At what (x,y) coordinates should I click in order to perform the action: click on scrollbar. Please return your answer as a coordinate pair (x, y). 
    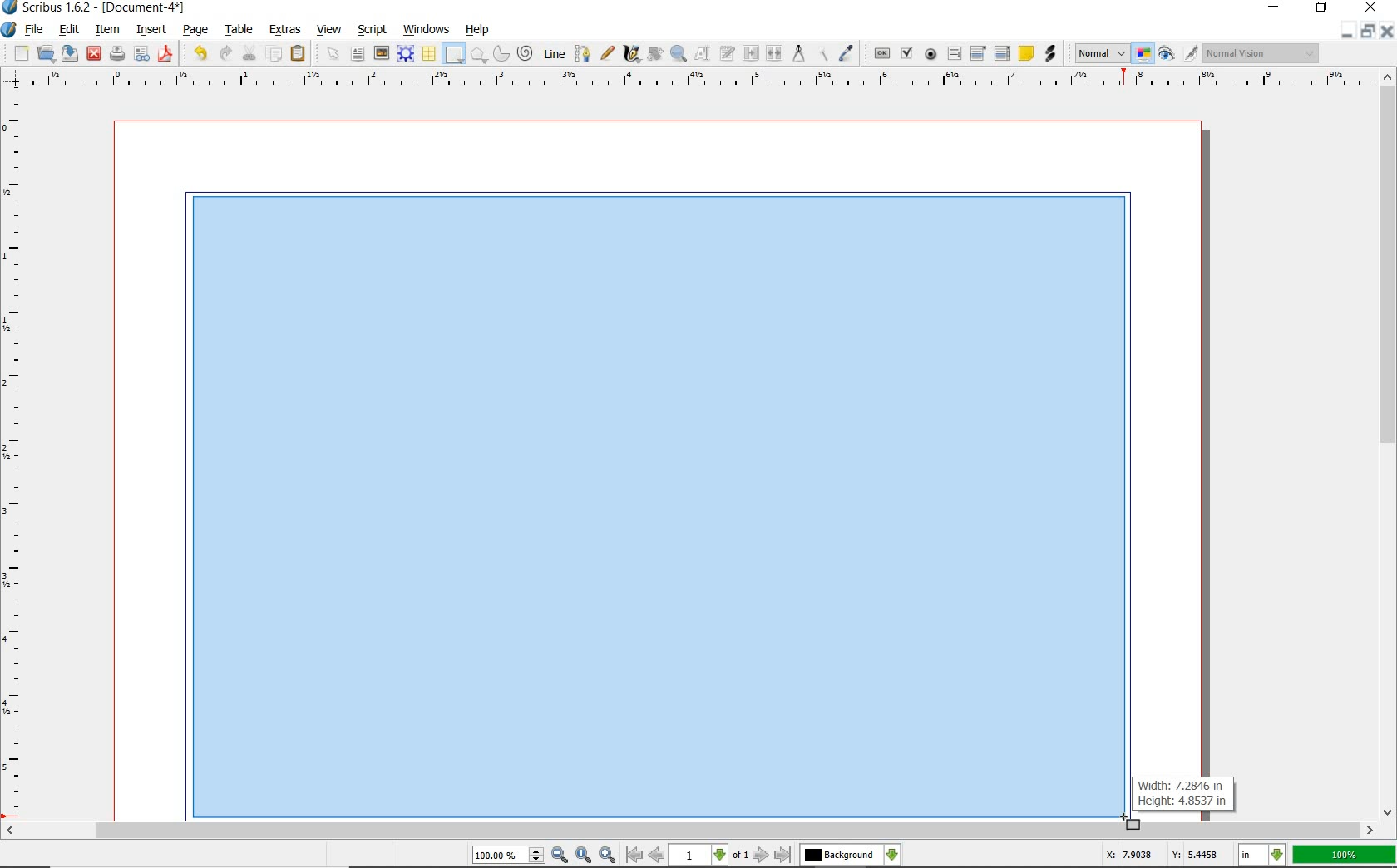
    Looking at the image, I should click on (1387, 445).